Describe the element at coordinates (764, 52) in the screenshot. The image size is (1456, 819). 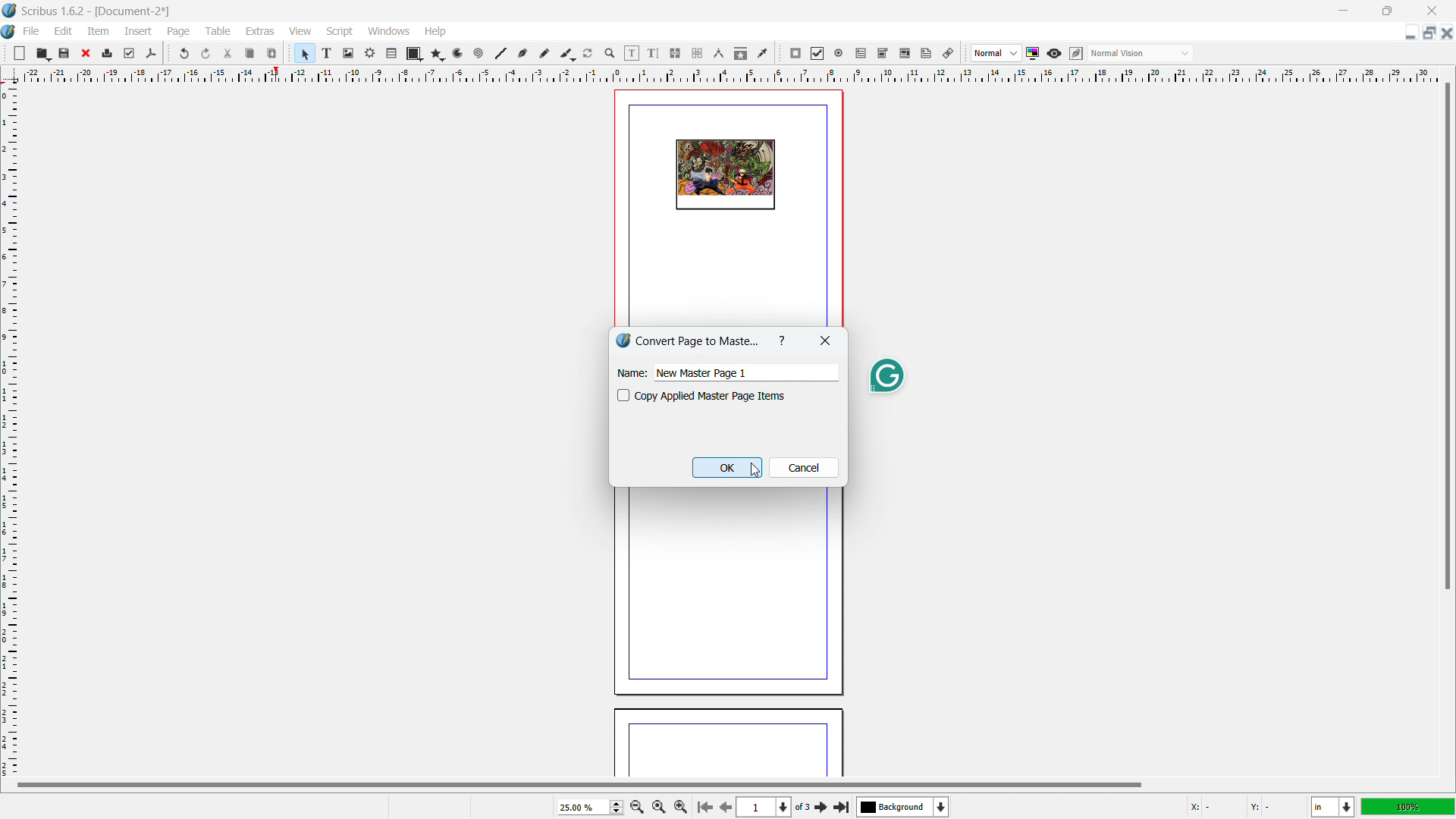
I see `eye dropper` at that location.